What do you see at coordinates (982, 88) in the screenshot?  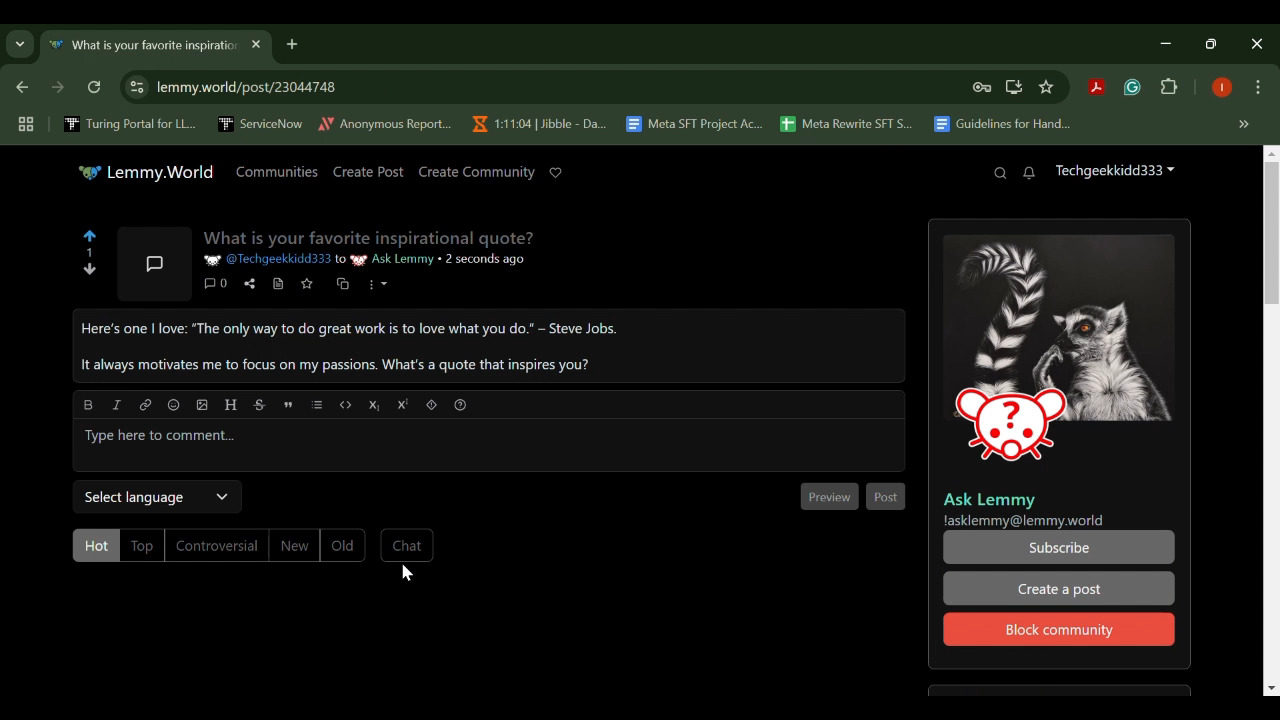 I see `Site Password Data Saved` at bounding box center [982, 88].